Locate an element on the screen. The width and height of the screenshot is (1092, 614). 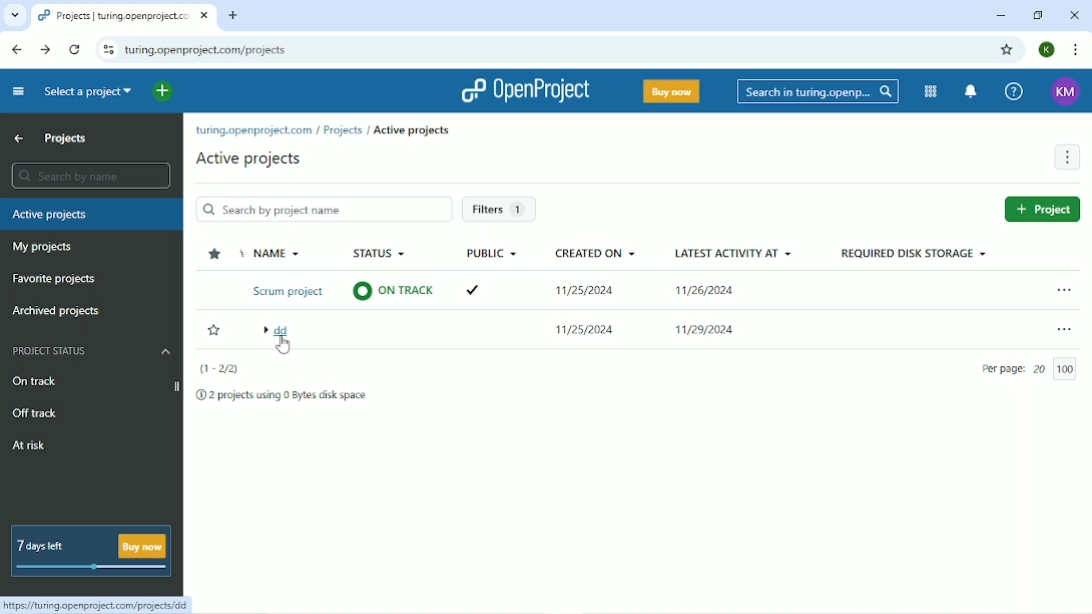
Modules is located at coordinates (929, 92).